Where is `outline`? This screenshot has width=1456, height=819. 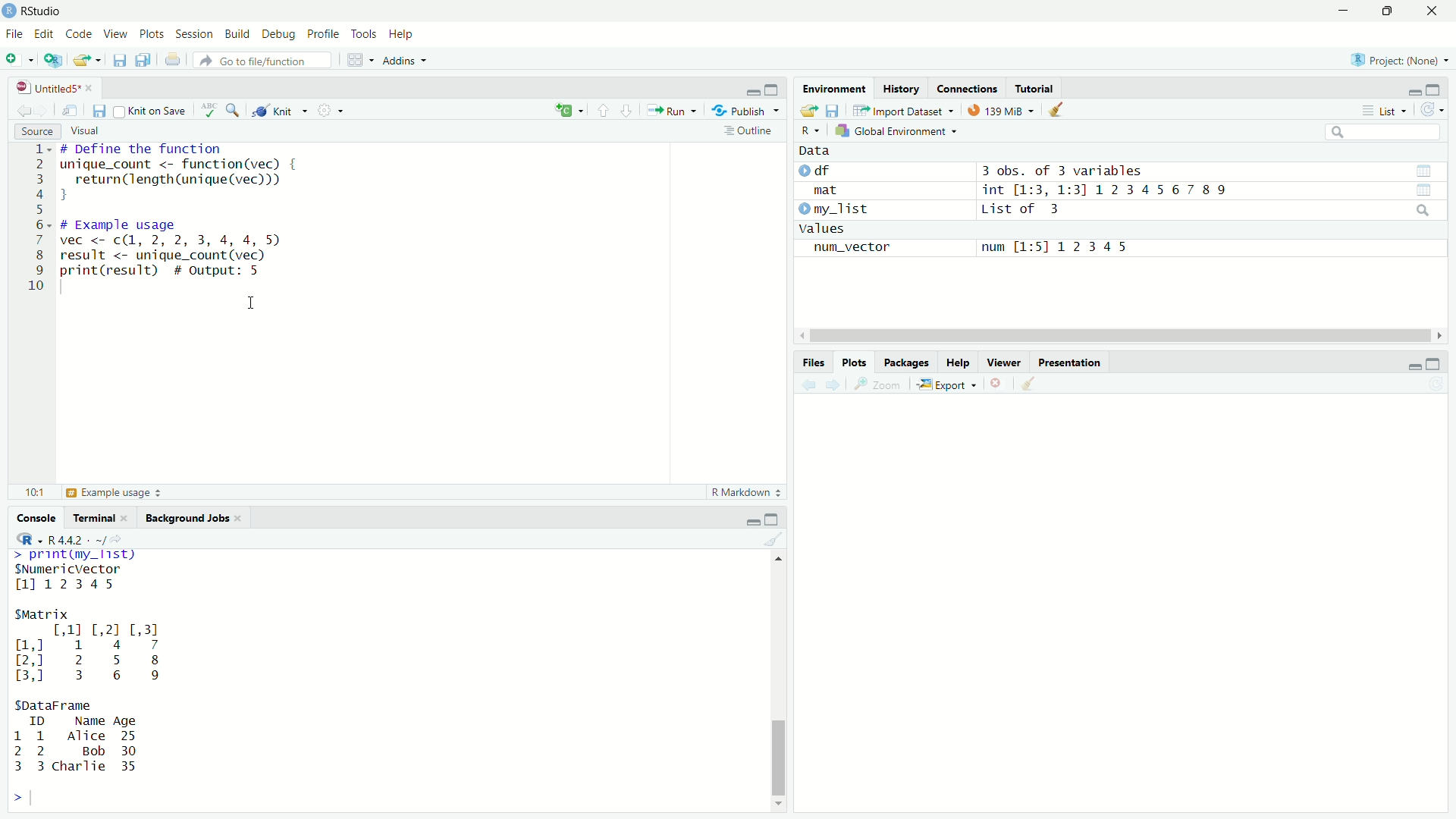 outline is located at coordinates (752, 131).